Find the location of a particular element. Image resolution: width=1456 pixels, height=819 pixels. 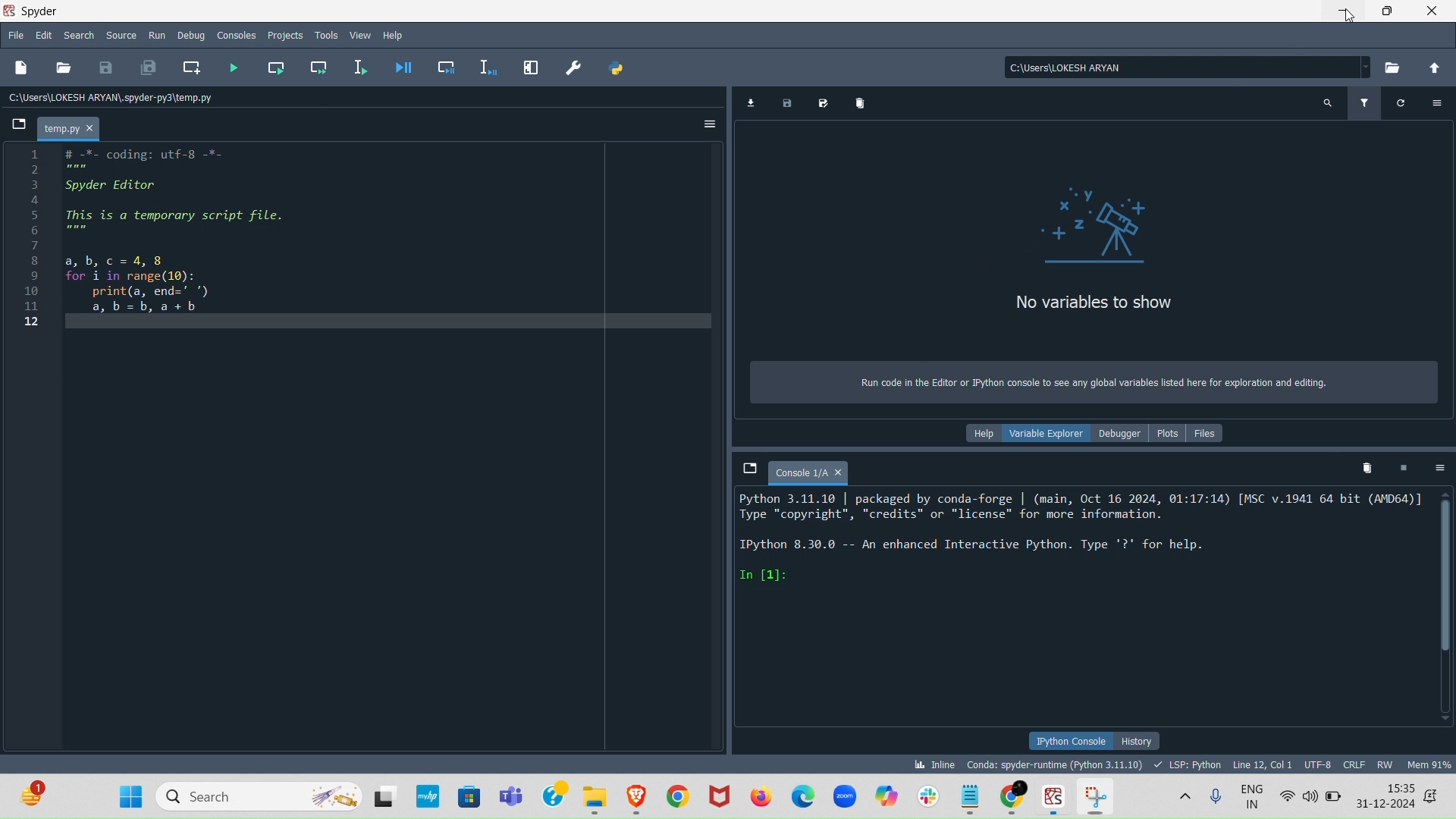

Remove all variables from namespace is located at coordinates (1367, 467).